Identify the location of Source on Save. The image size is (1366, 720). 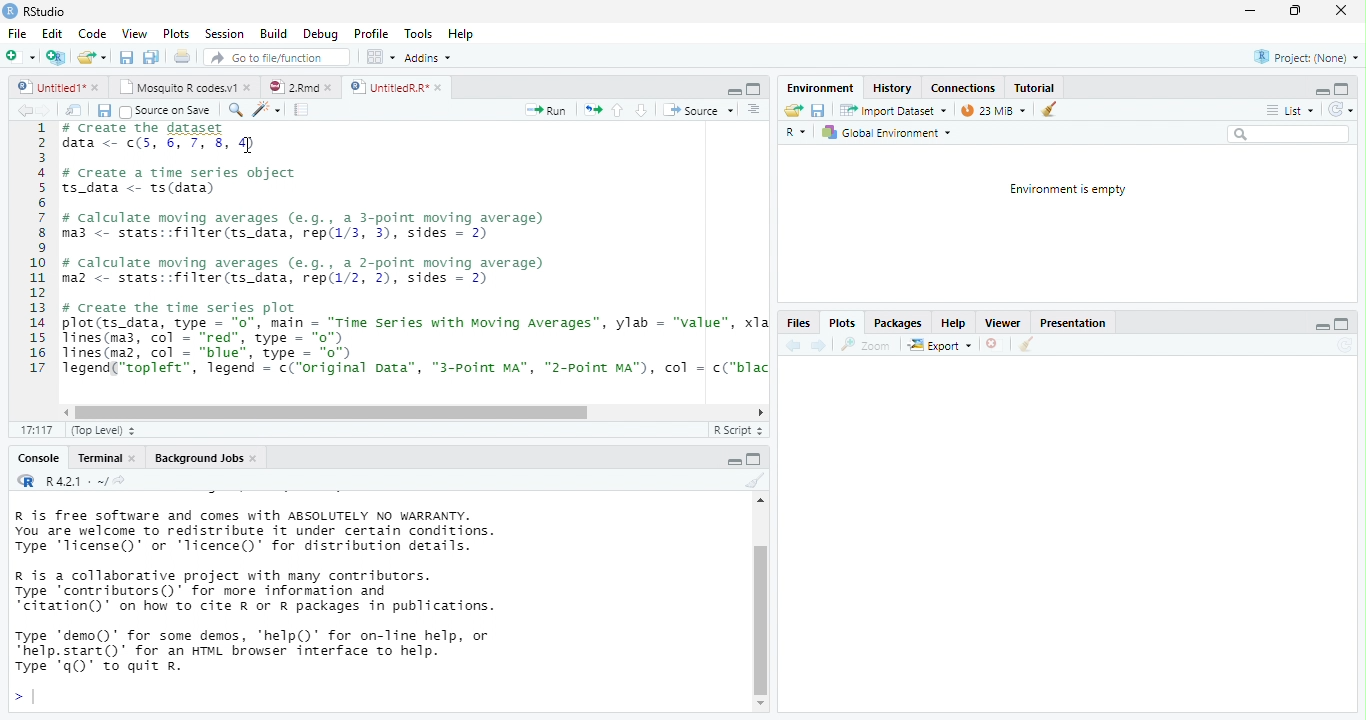
(164, 111).